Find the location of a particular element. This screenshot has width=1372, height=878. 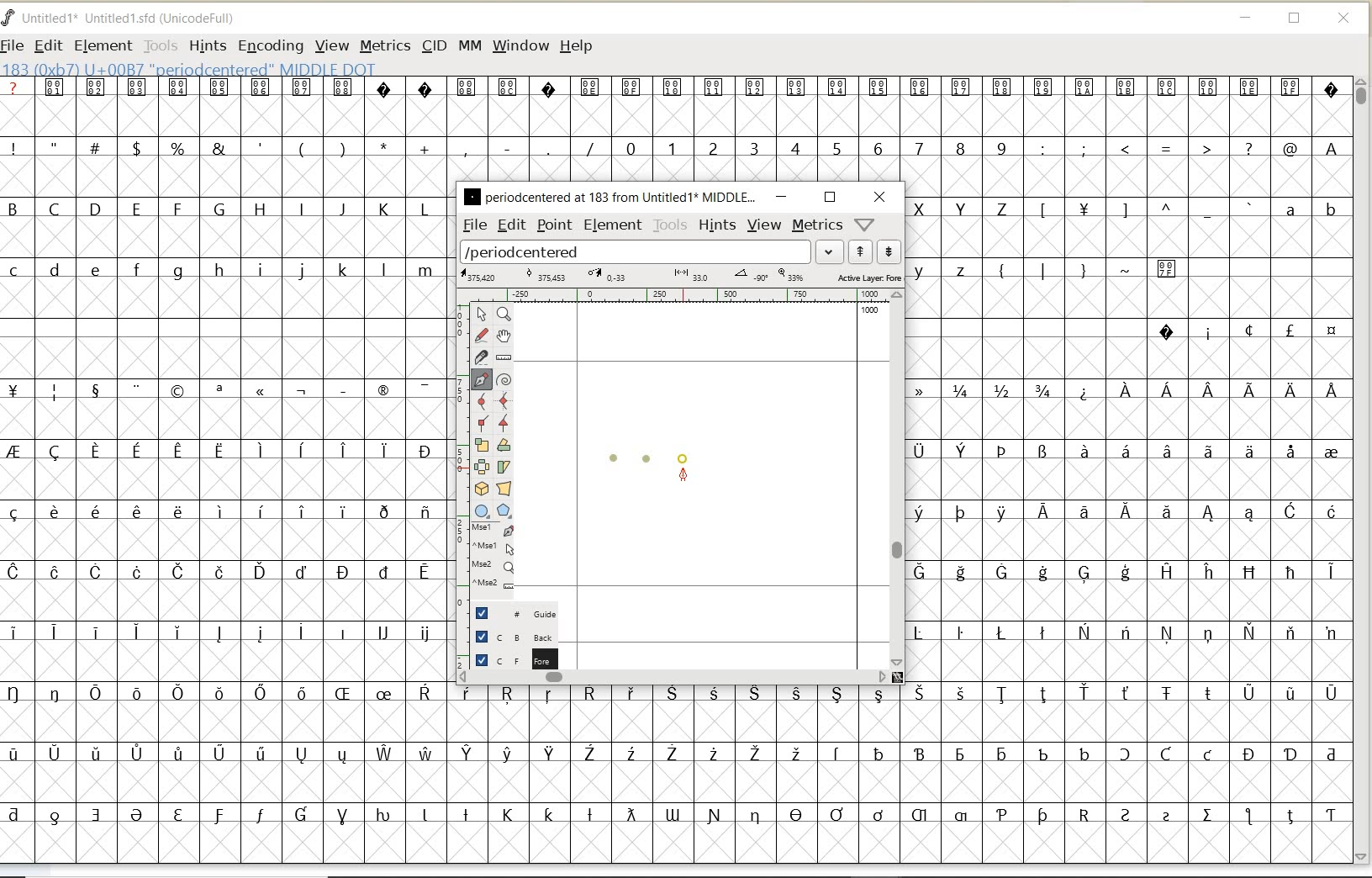

element is located at coordinates (610, 225).